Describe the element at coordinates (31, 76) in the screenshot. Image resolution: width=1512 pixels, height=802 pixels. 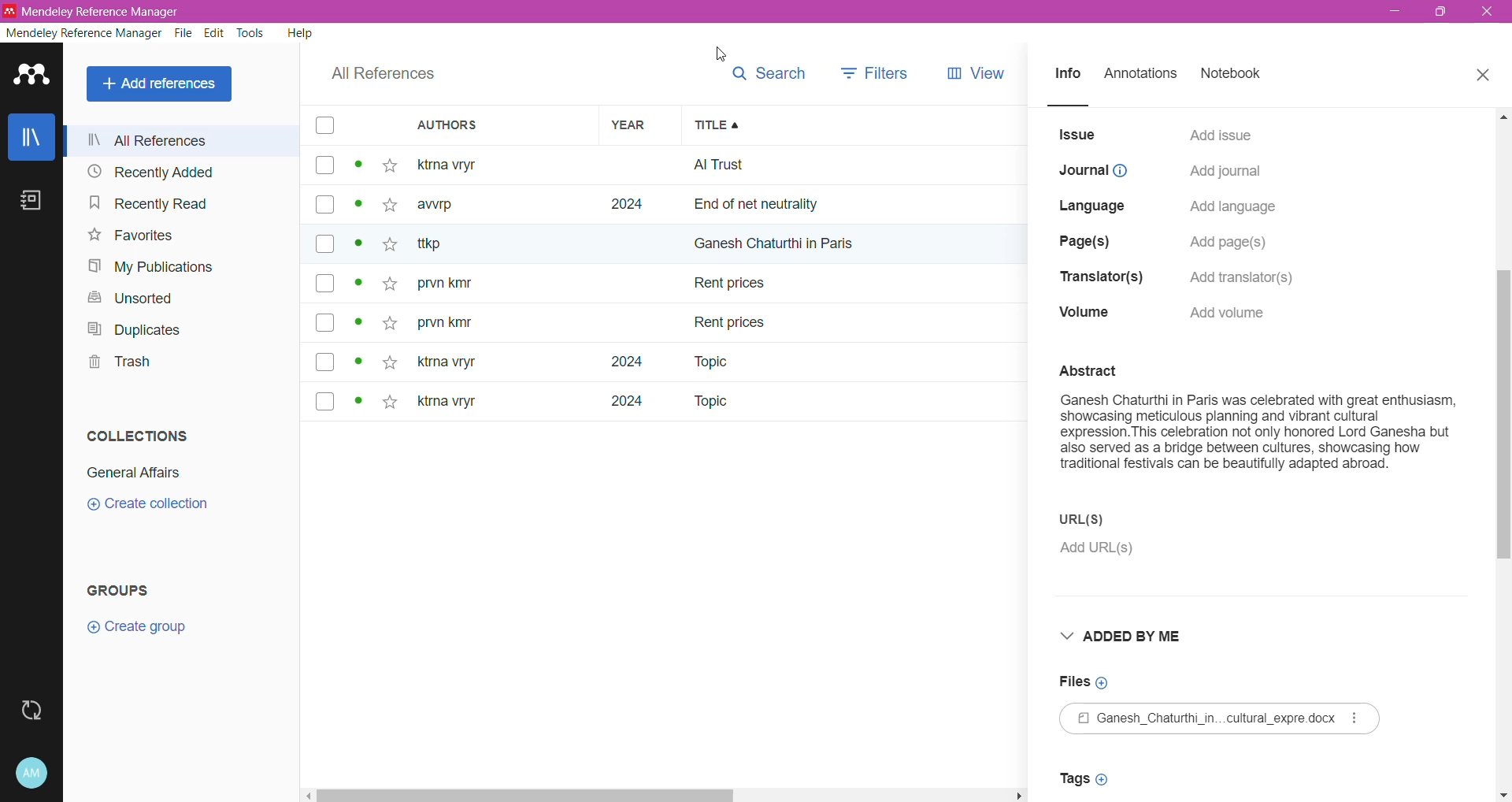
I see `Application Logo` at that location.